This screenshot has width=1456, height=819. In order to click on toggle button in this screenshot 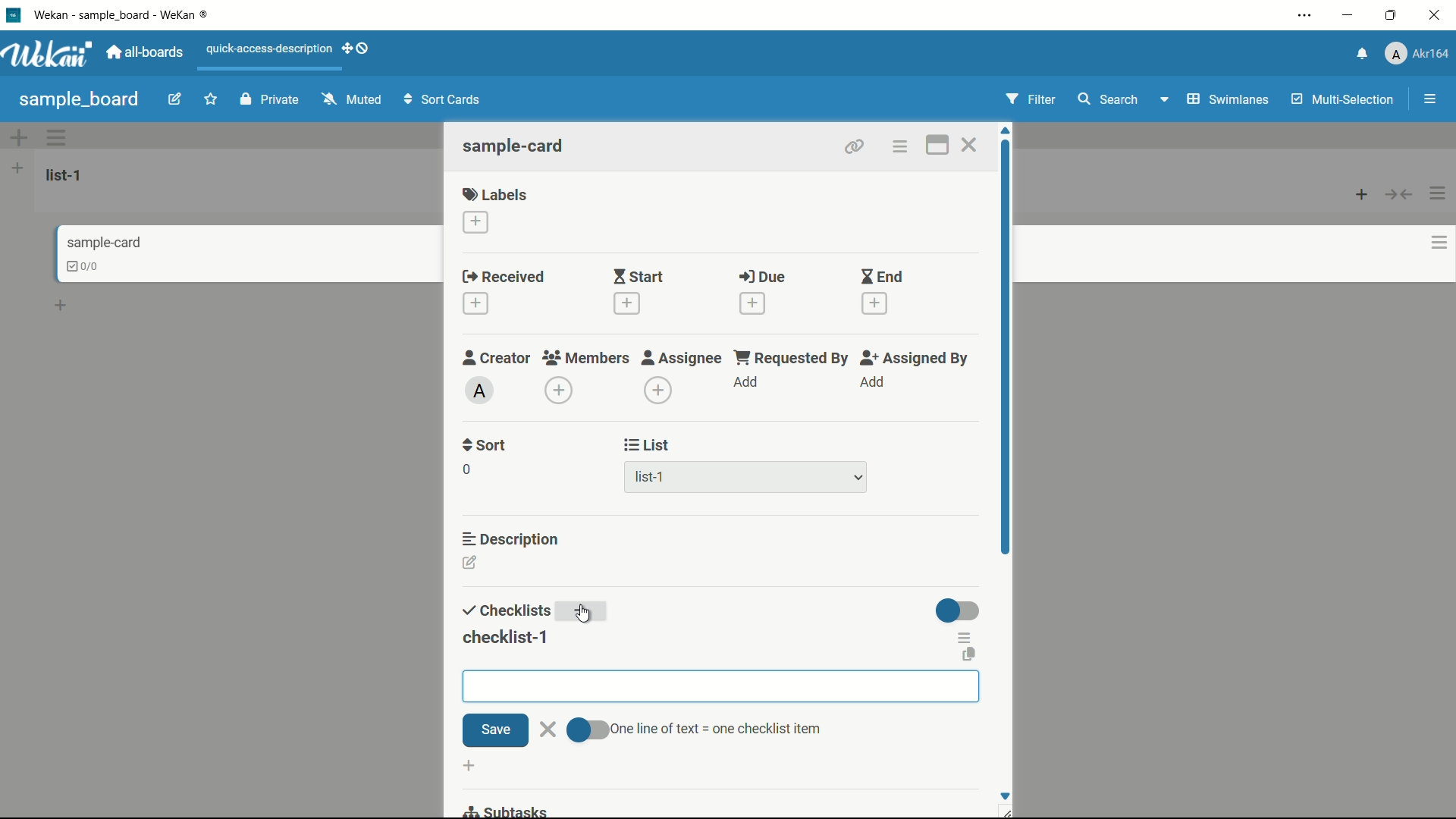, I will do `click(585, 730)`.